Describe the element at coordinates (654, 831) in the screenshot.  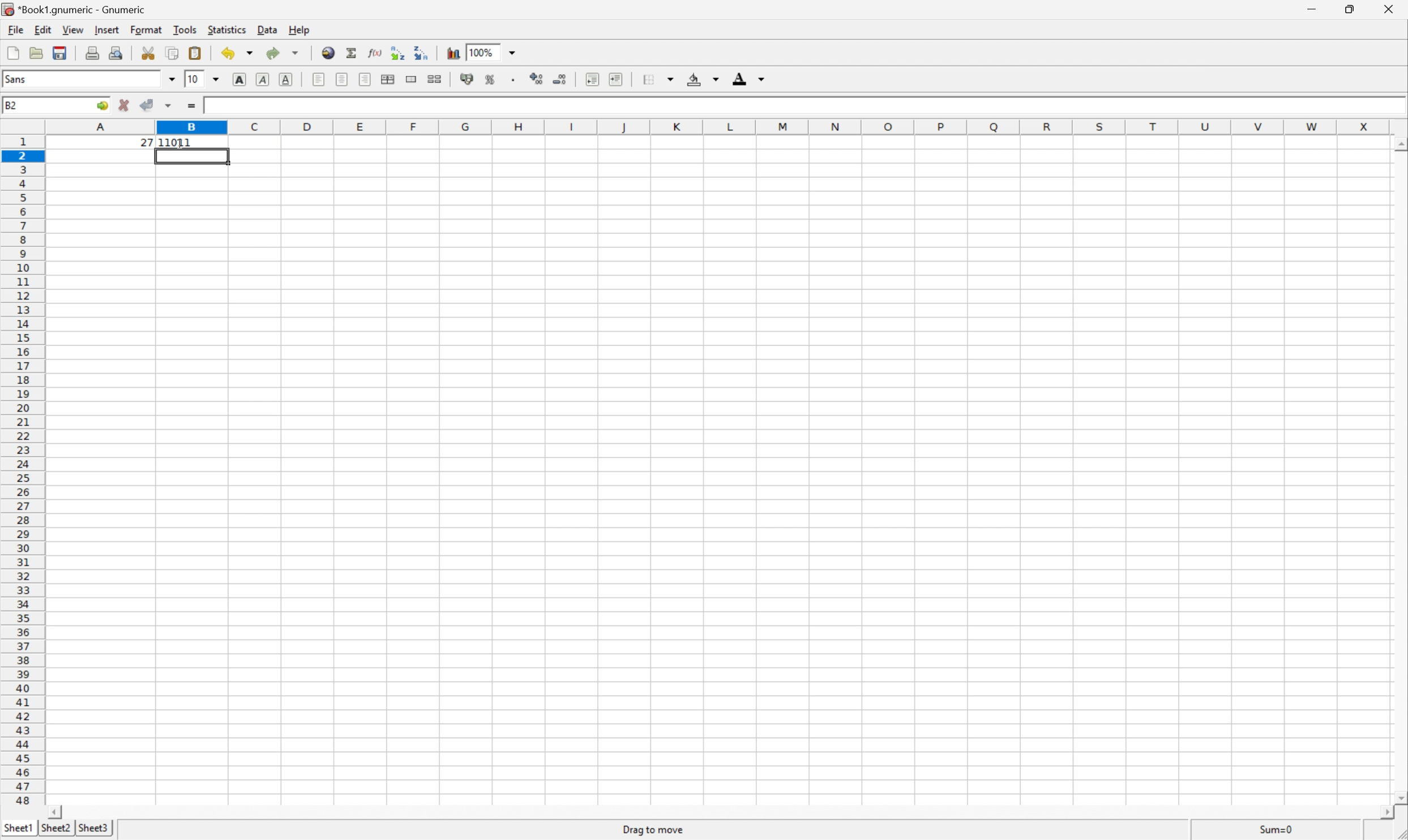
I see `Drag to move` at that location.